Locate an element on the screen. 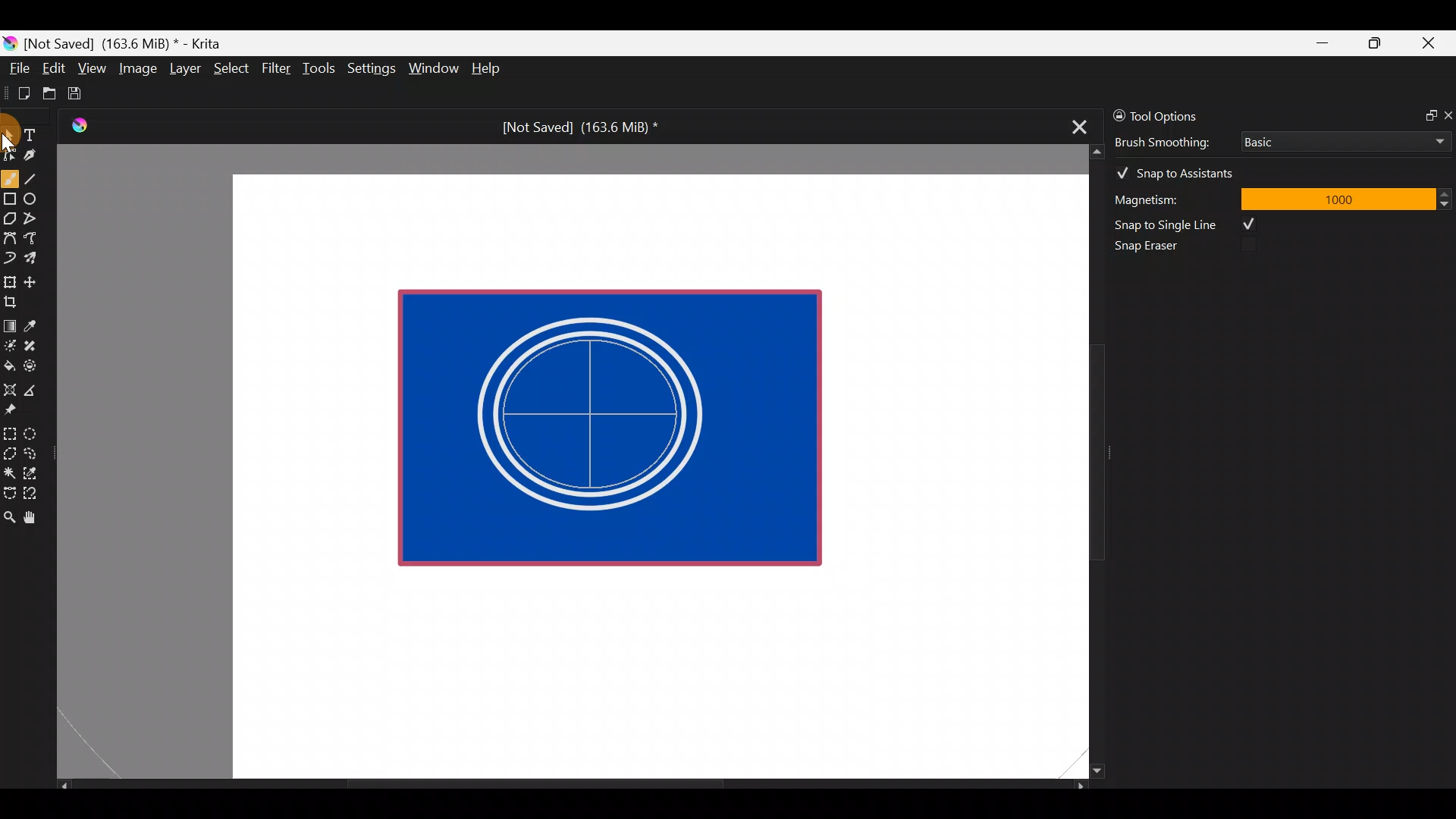  Reference images tool is located at coordinates (15, 408).